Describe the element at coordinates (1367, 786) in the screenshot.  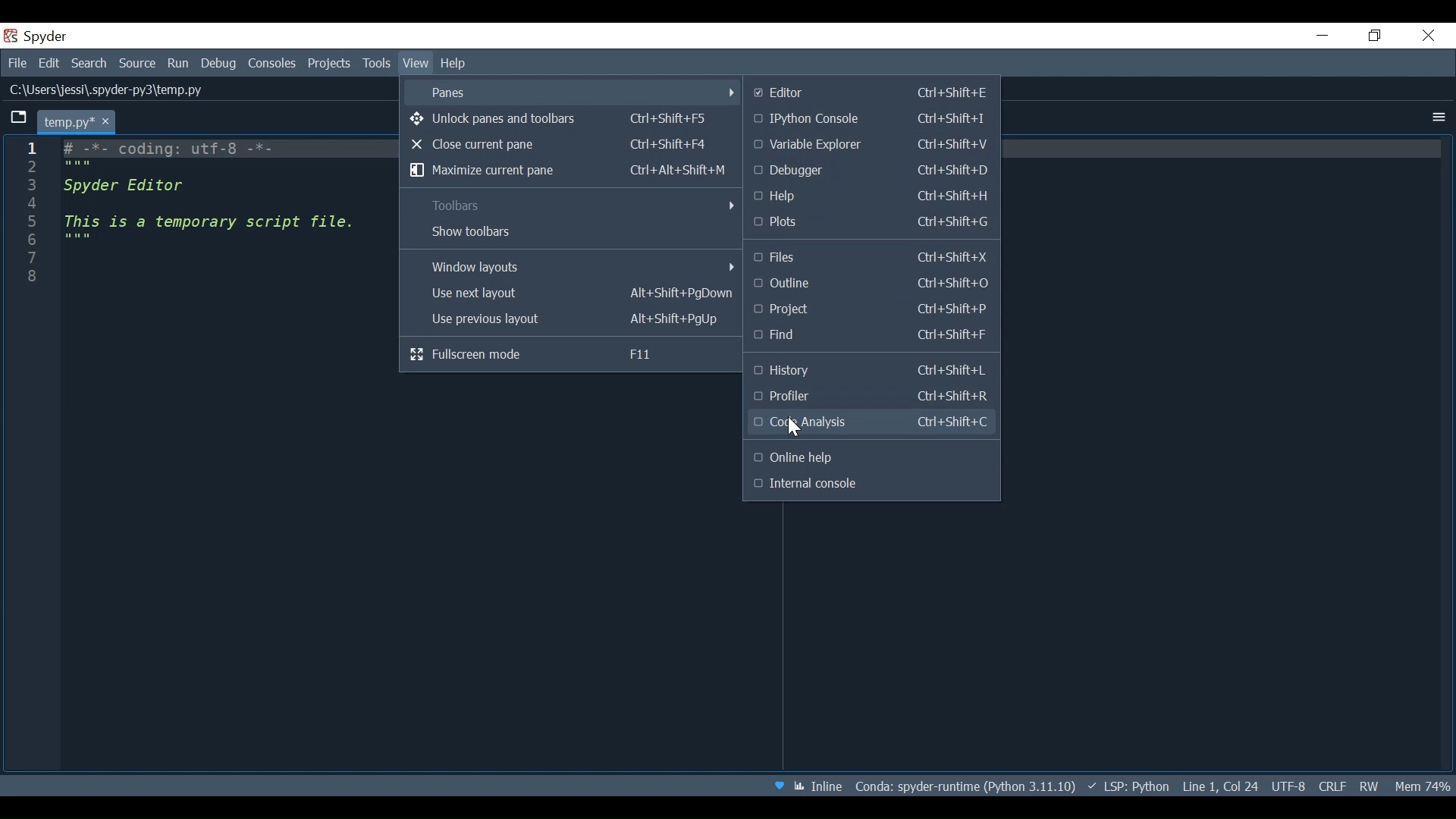
I see `File Permission` at that location.